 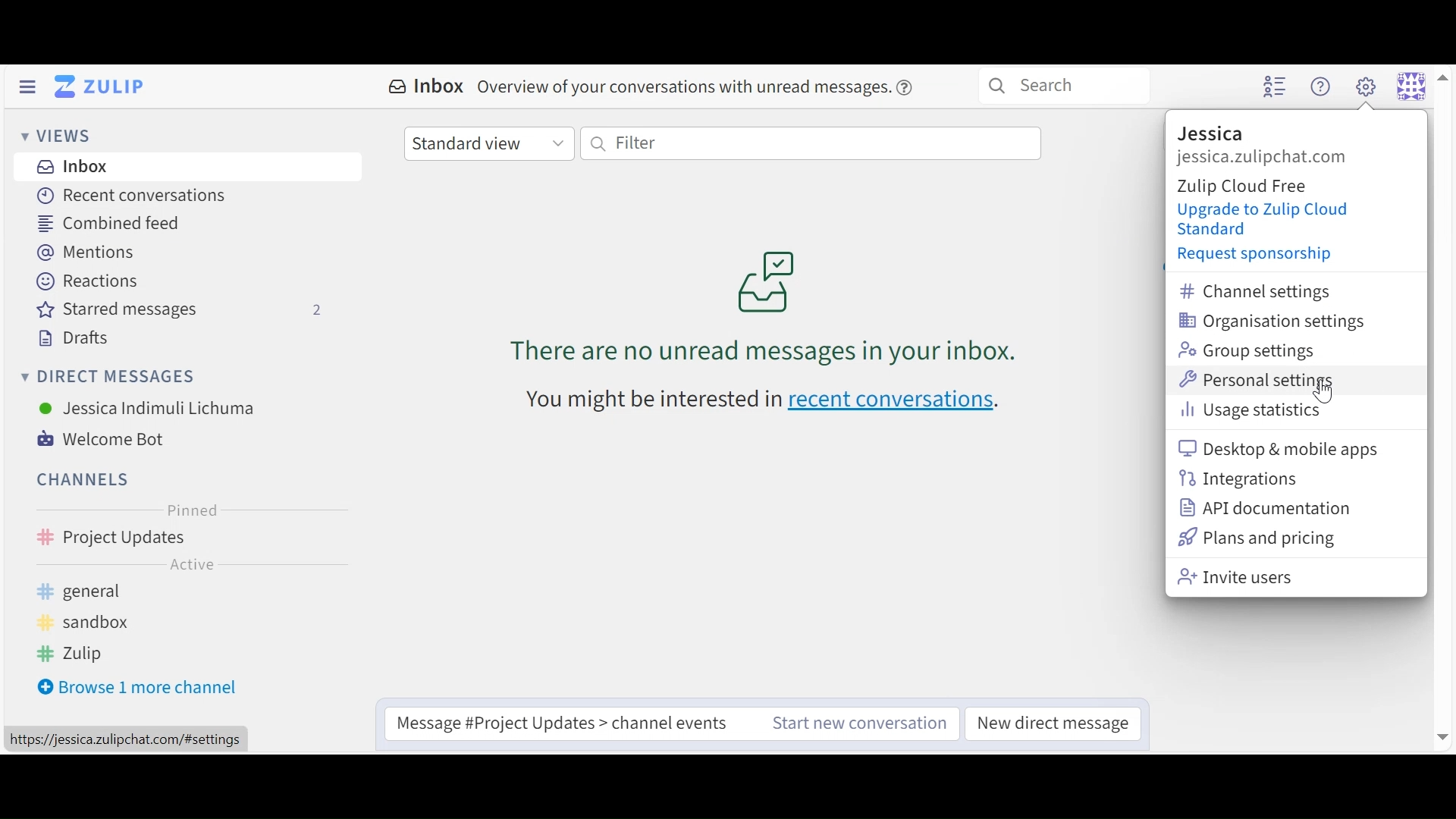 I want to click on New direct messages, so click(x=1054, y=723).